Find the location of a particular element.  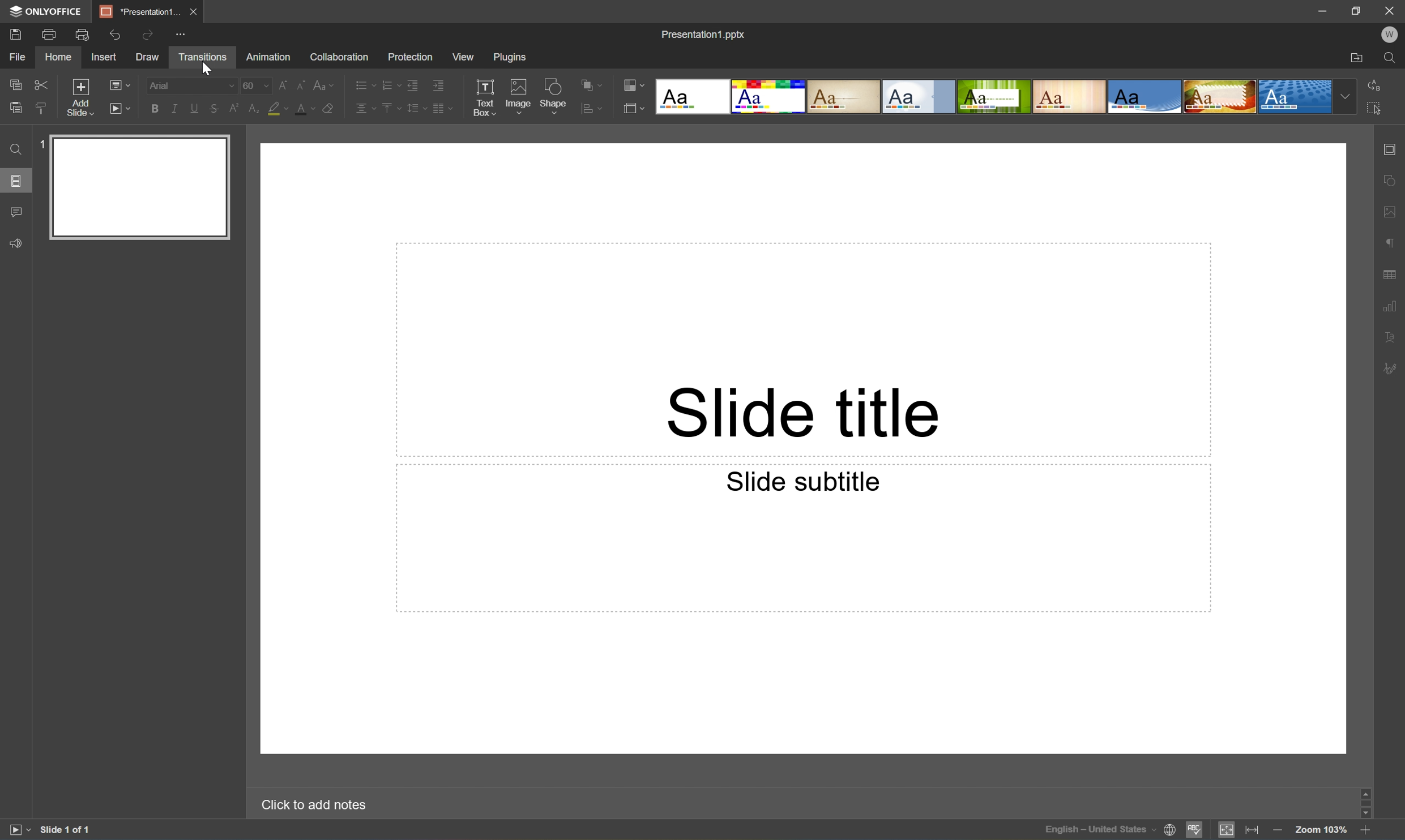

Official is located at coordinates (919, 96).